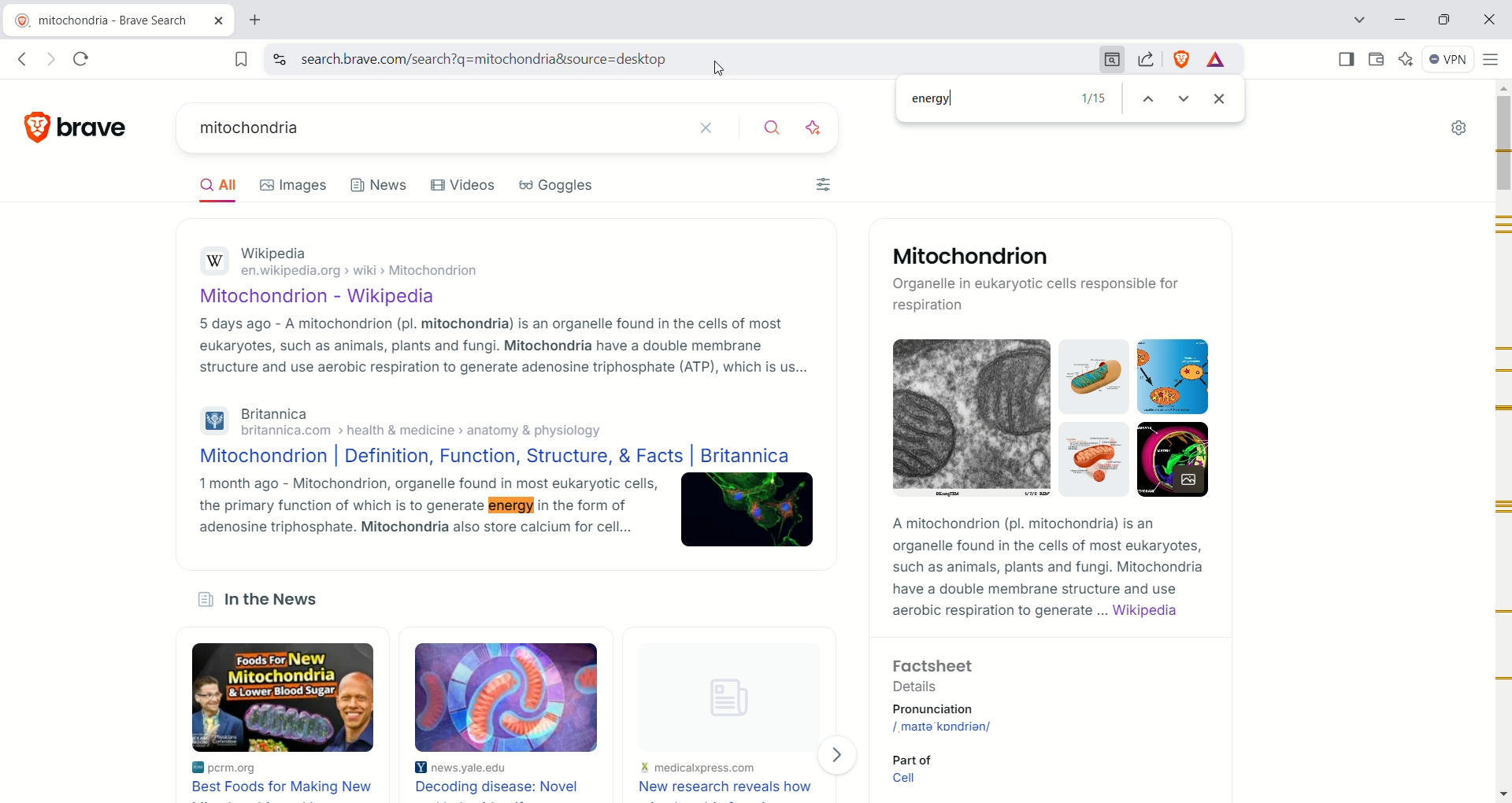  Describe the element at coordinates (354, 293) in the screenshot. I see `Mitochondrion - Wikipedia` at that location.